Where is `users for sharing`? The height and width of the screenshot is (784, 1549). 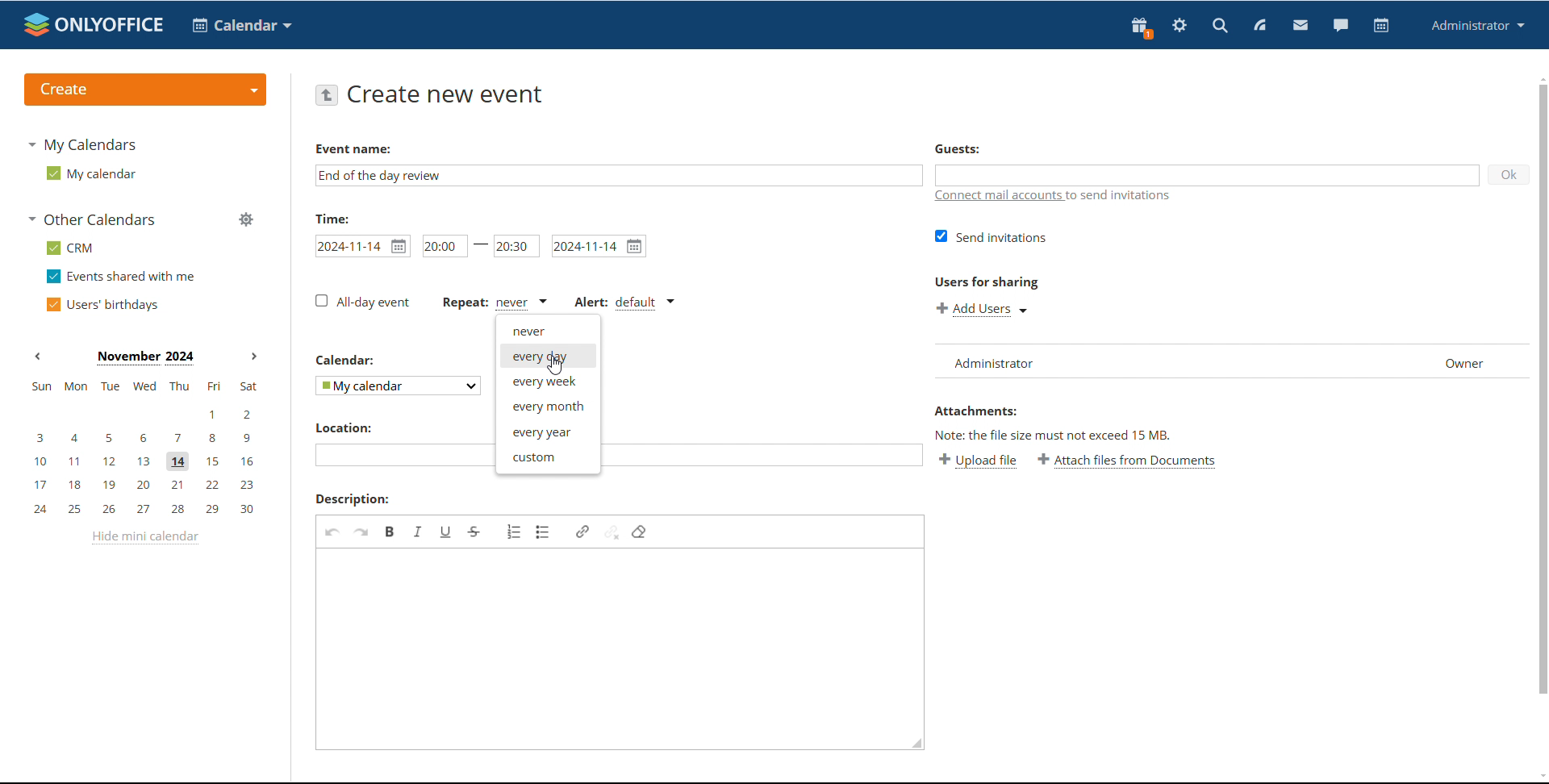
users for sharing is located at coordinates (987, 281).